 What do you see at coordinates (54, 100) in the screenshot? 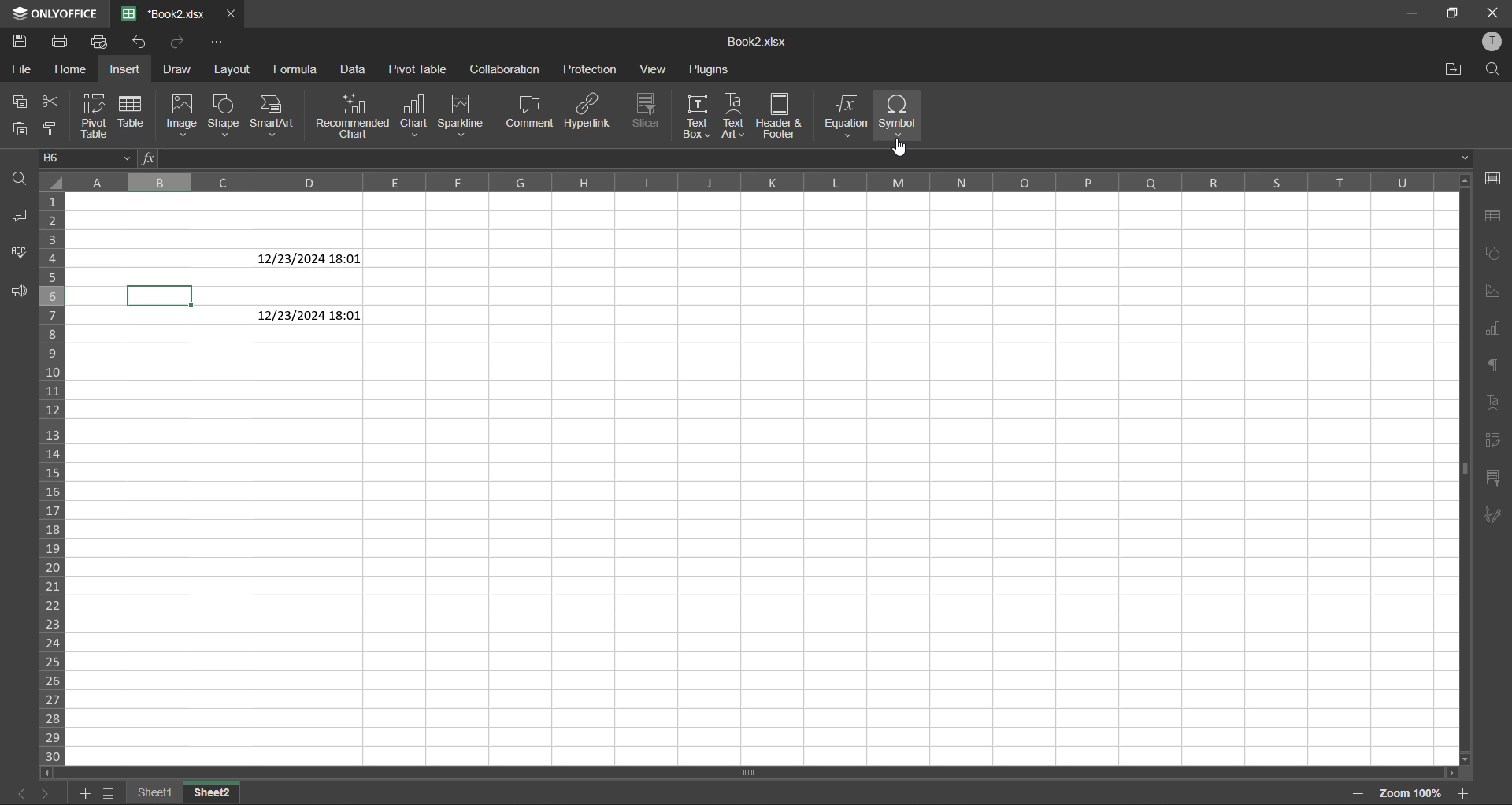
I see `cut` at bounding box center [54, 100].